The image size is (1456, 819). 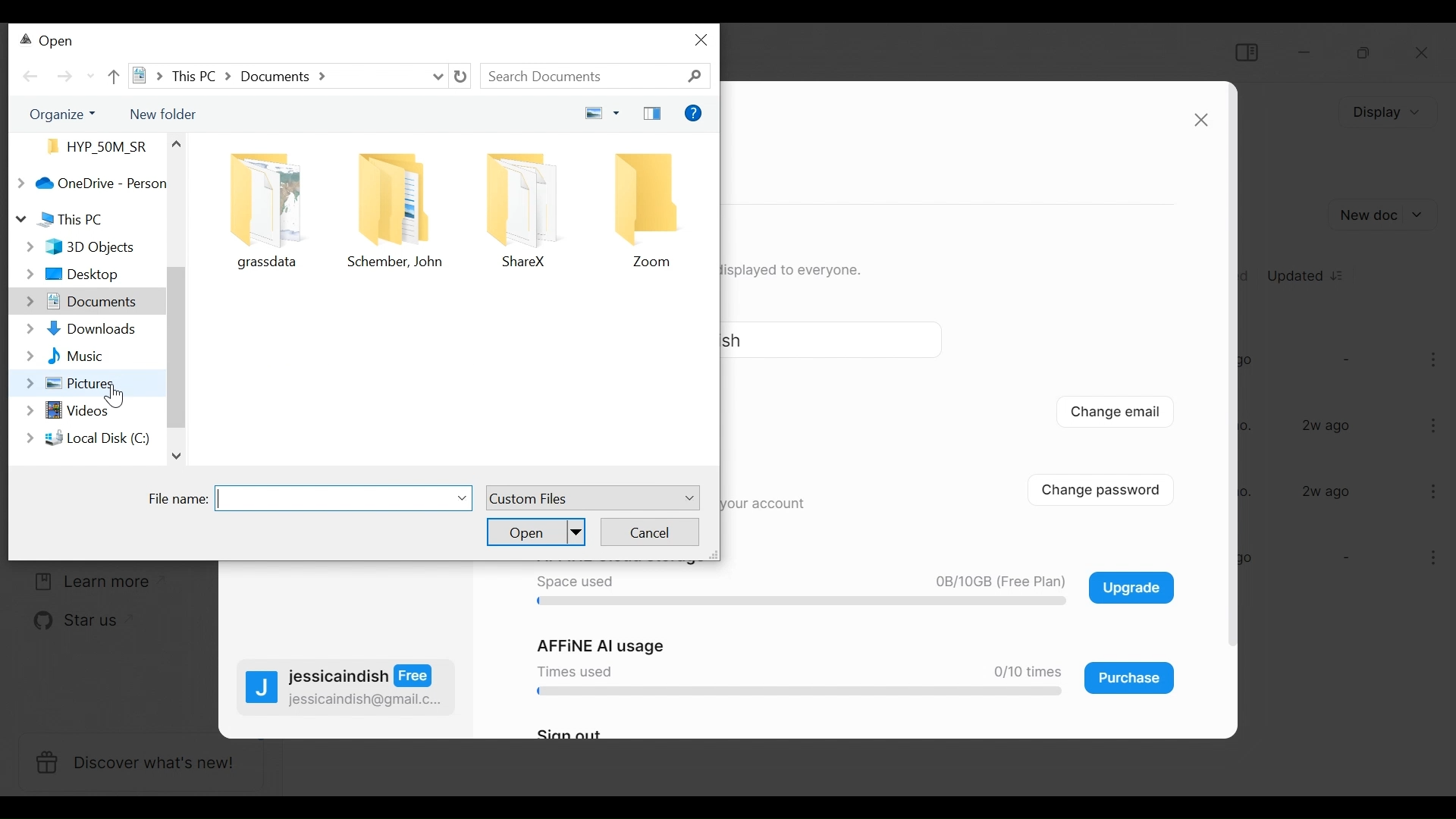 What do you see at coordinates (284, 75) in the screenshot?
I see `Show file location` at bounding box center [284, 75].